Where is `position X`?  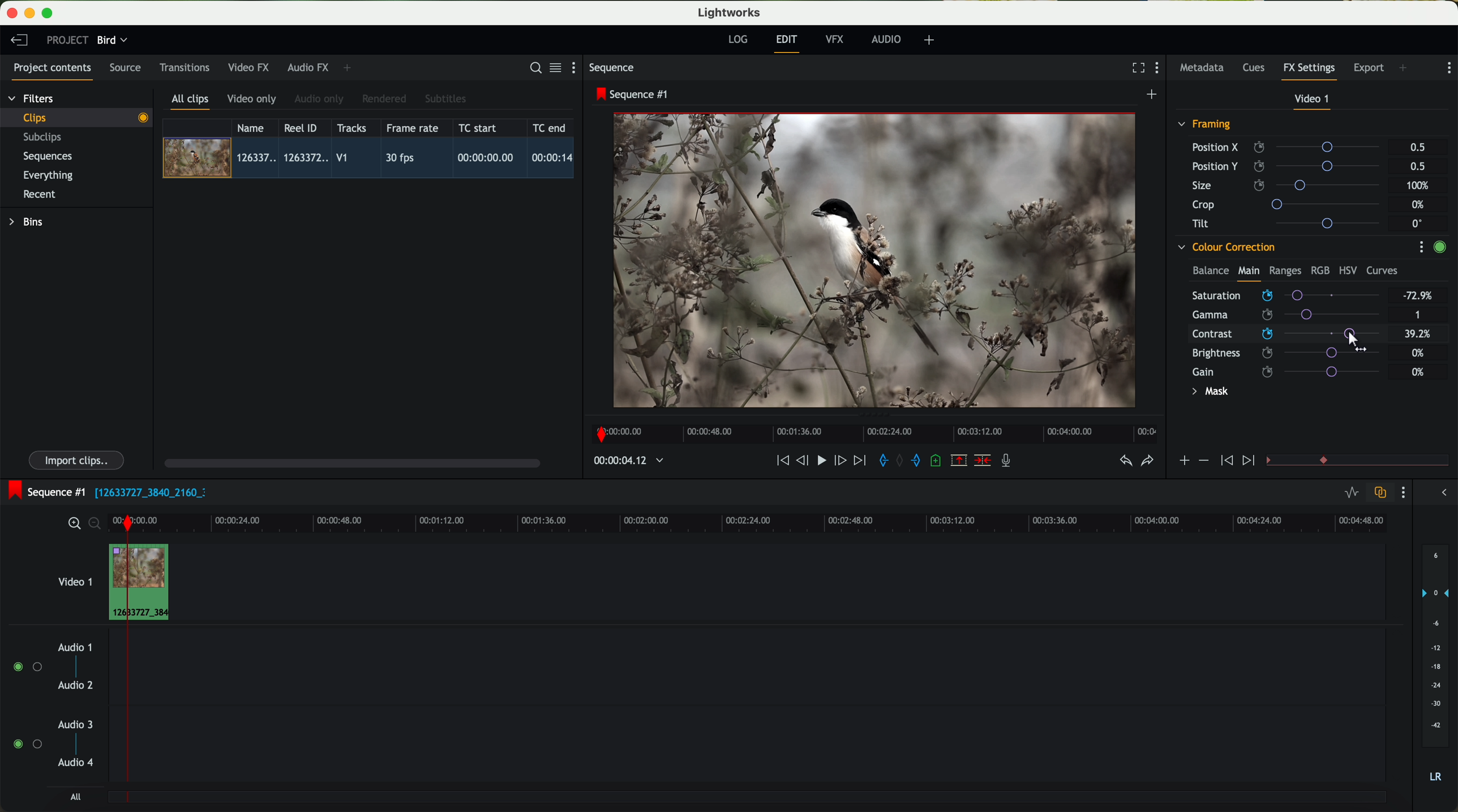 position X is located at coordinates (1290, 147).